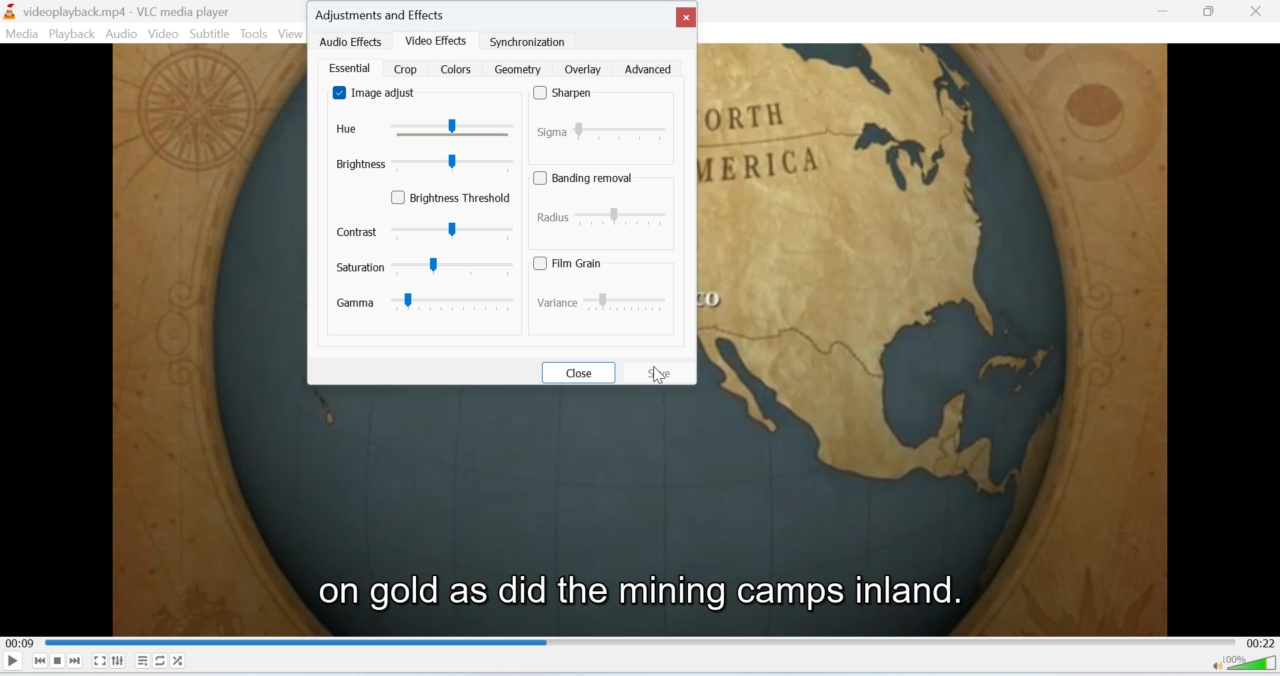 This screenshot has height=676, width=1280. I want to click on audio effects, so click(354, 43).